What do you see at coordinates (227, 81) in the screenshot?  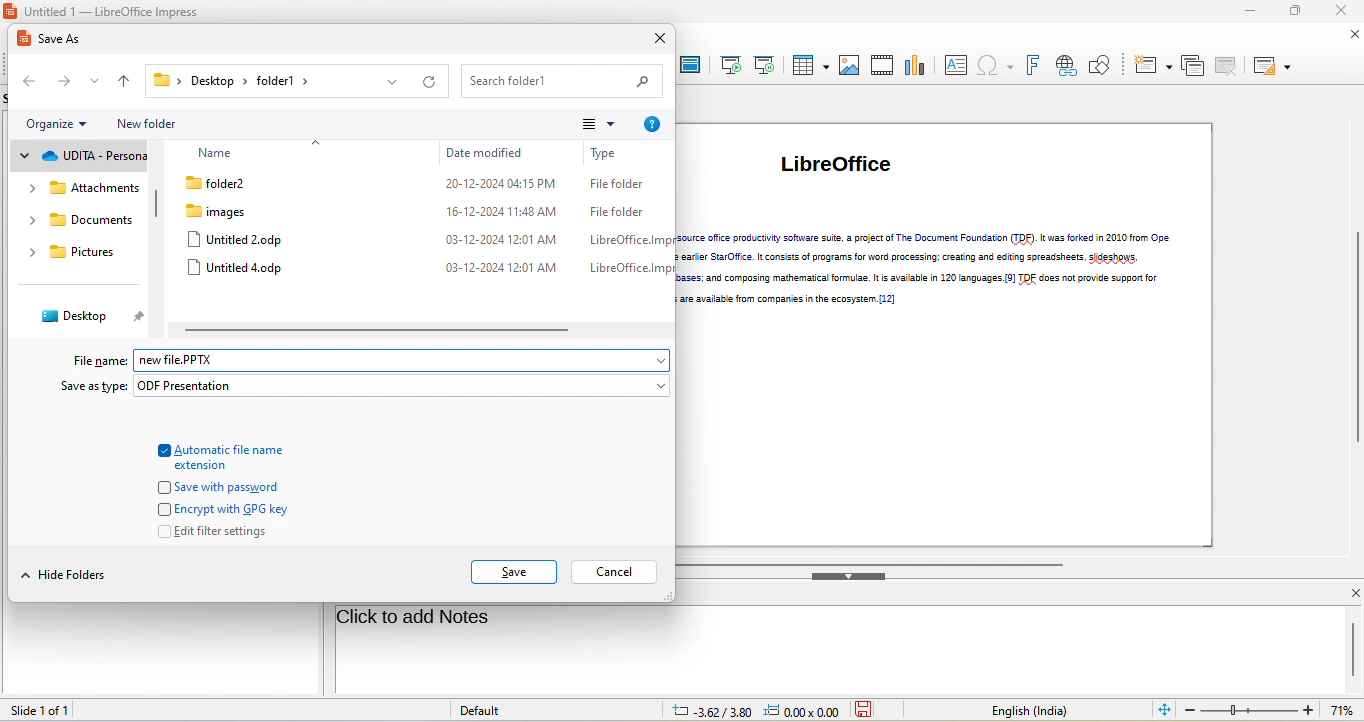 I see `current location:Desktop > folder` at bounding box center [227, 81].